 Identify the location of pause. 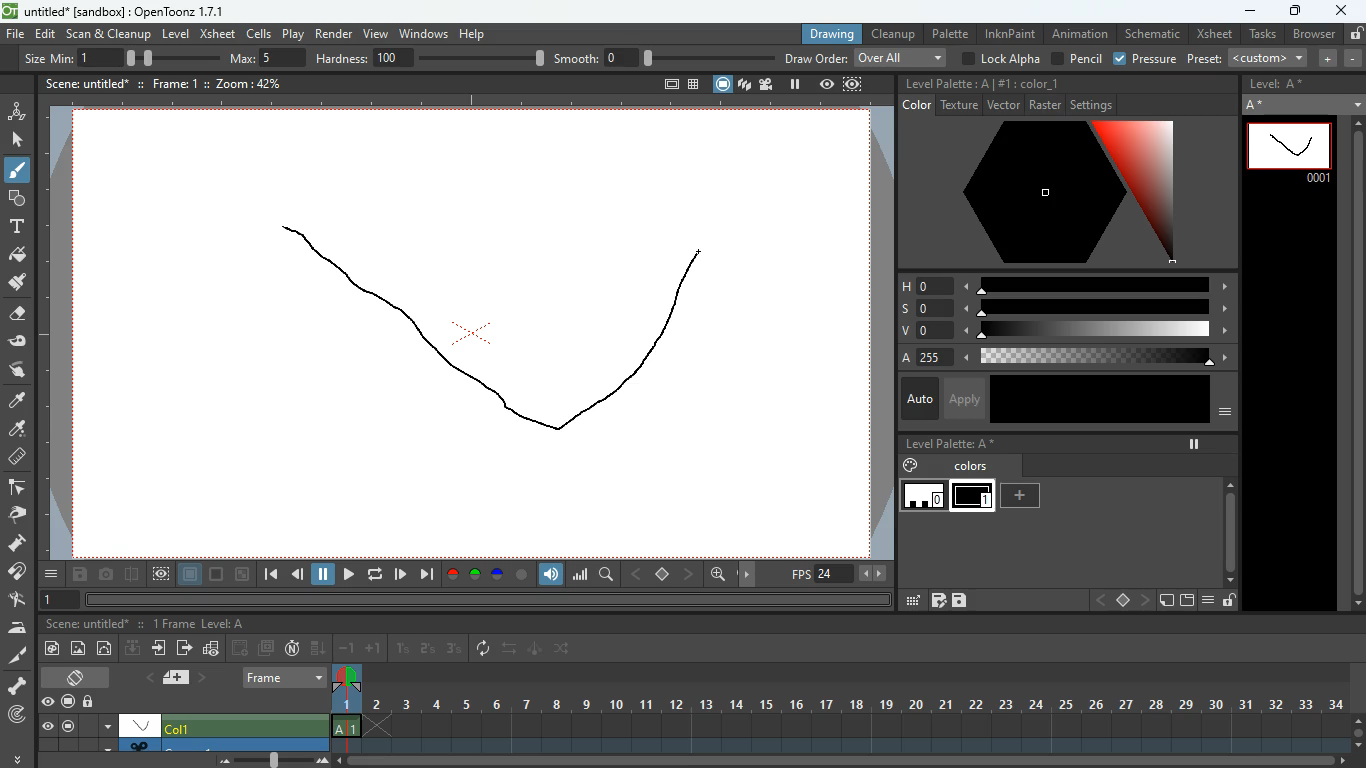
(324, 575).